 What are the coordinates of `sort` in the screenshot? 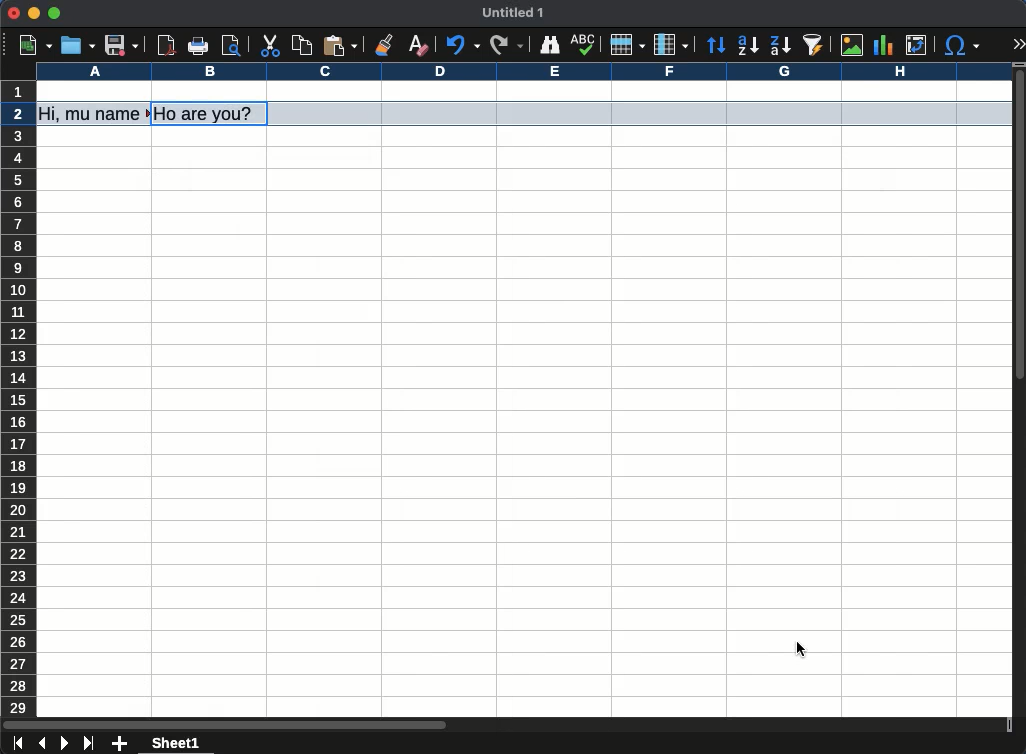 It's located at (814, 45).